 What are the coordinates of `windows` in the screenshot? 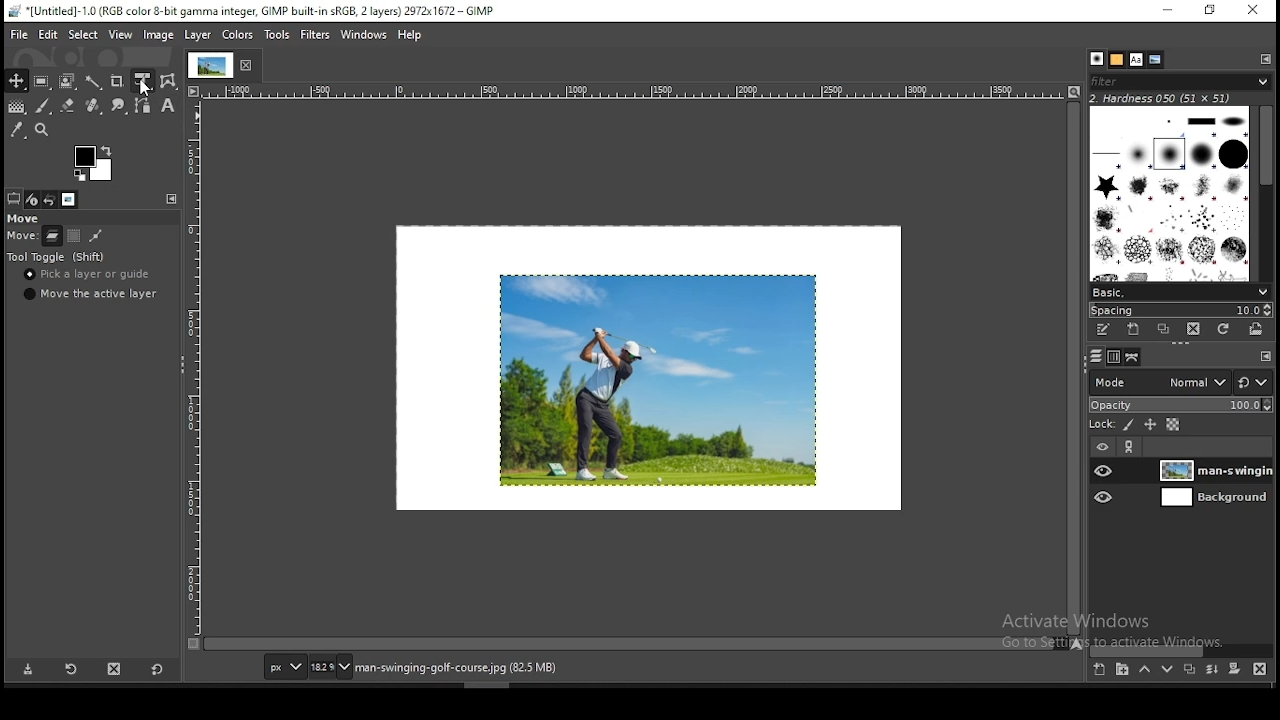 It's located at (361, 35).